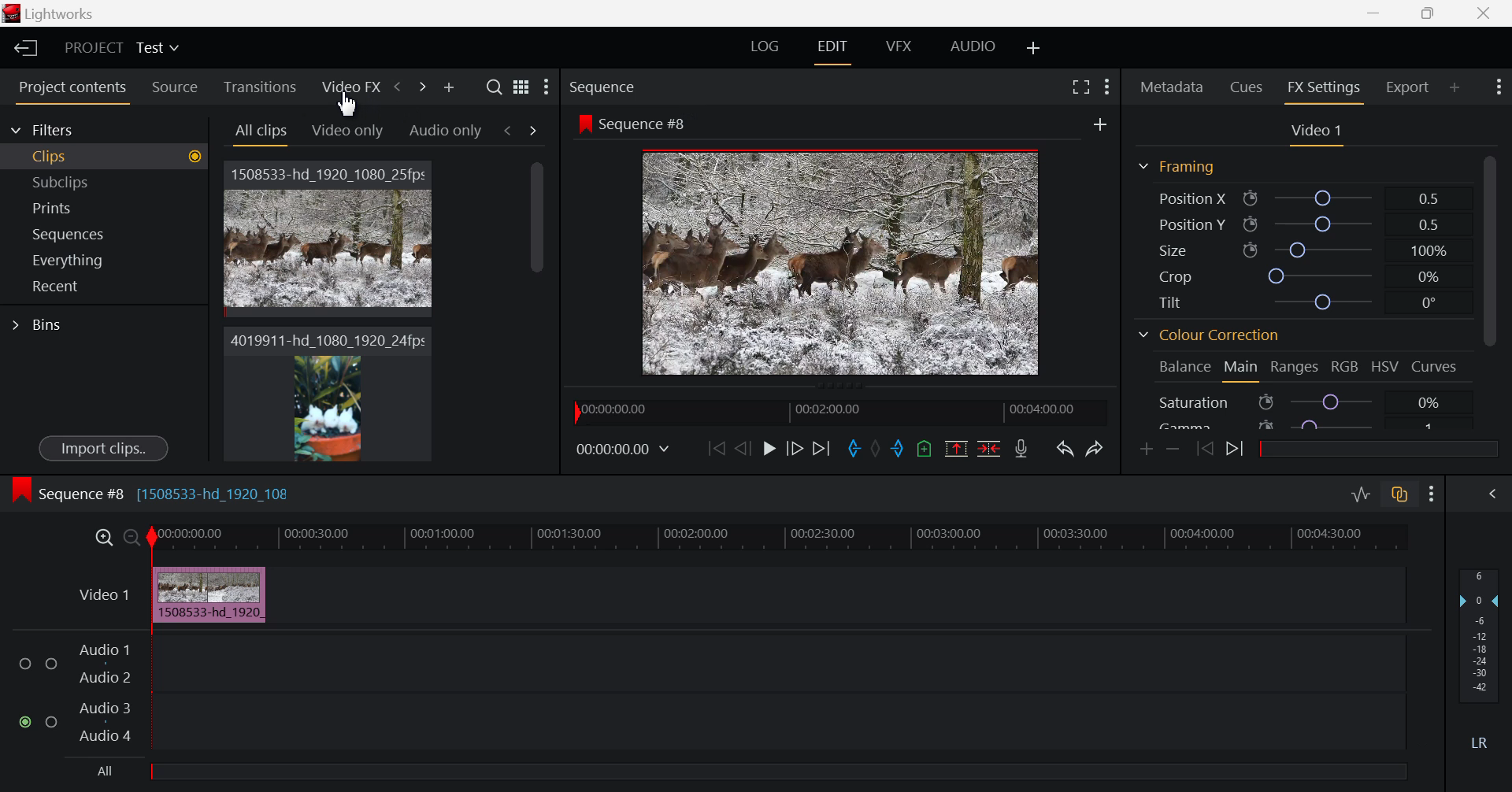  What do you see at coordinates (1304, 224) in the screenshot?
I see `Position Y` at bounding box center [1304, 224].